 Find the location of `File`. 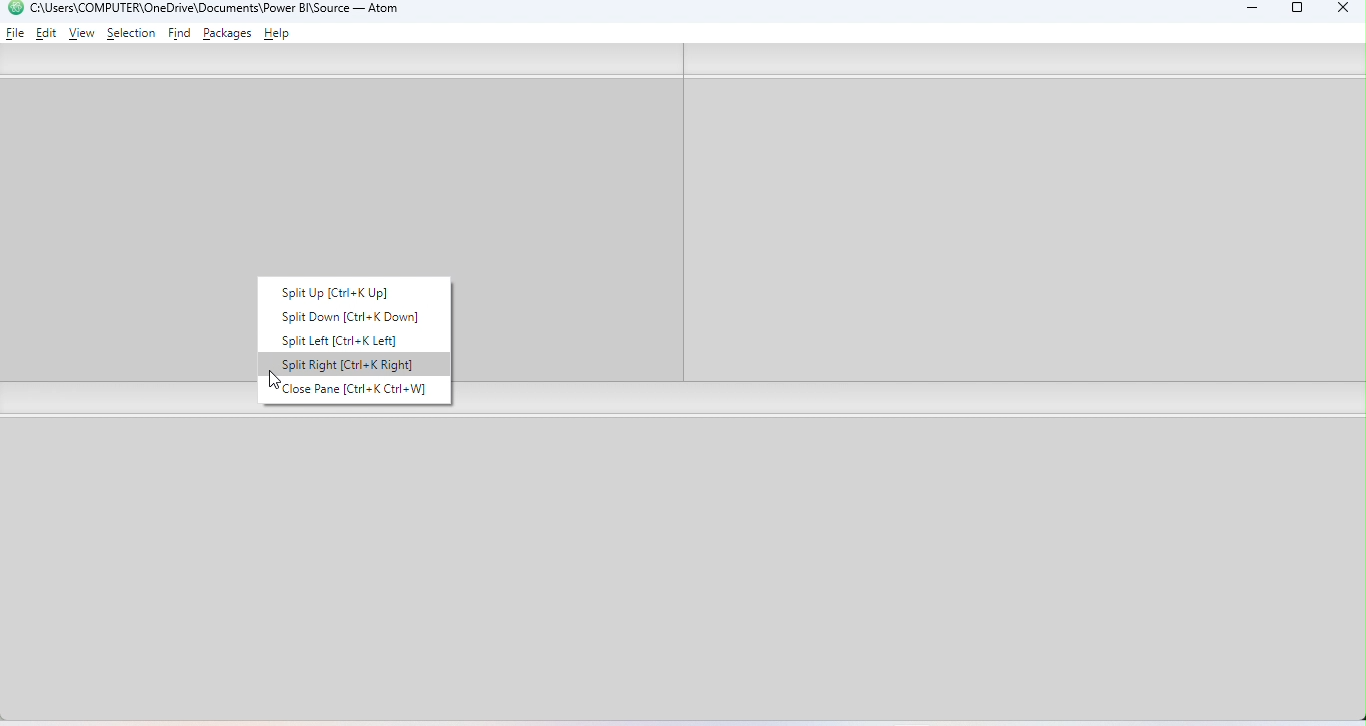

File is located at coordinates (16, 32).